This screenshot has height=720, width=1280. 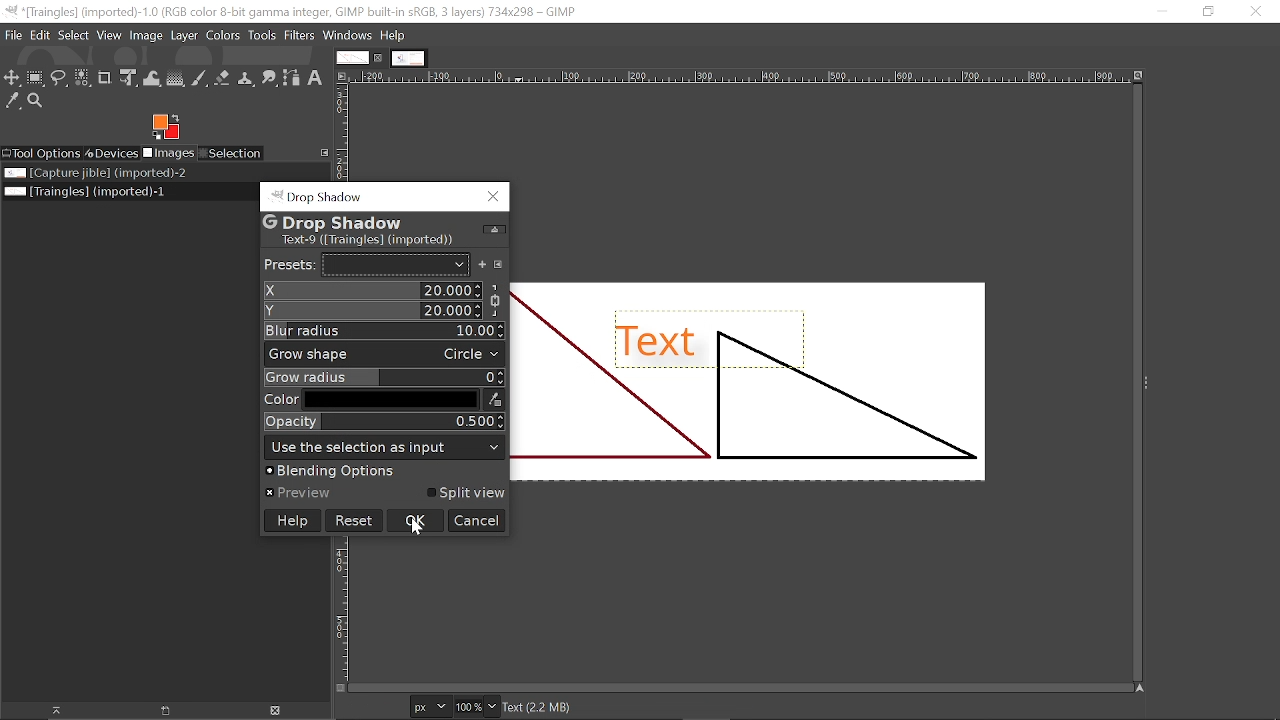 I want to click on Zoom tool, so click(x=37, y=100).